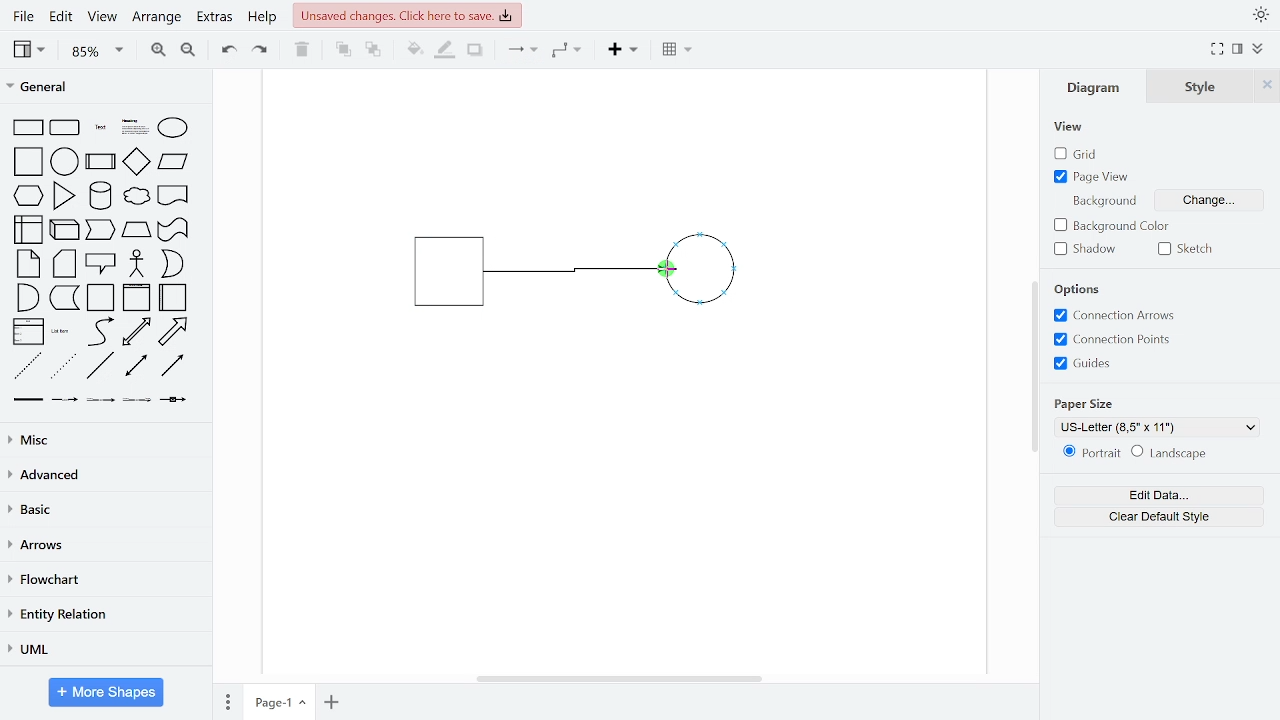 This screenshot has height=720, width=1280. Describe the element at coordinates (27, 400) in the screenshot. I see `link` at that location.